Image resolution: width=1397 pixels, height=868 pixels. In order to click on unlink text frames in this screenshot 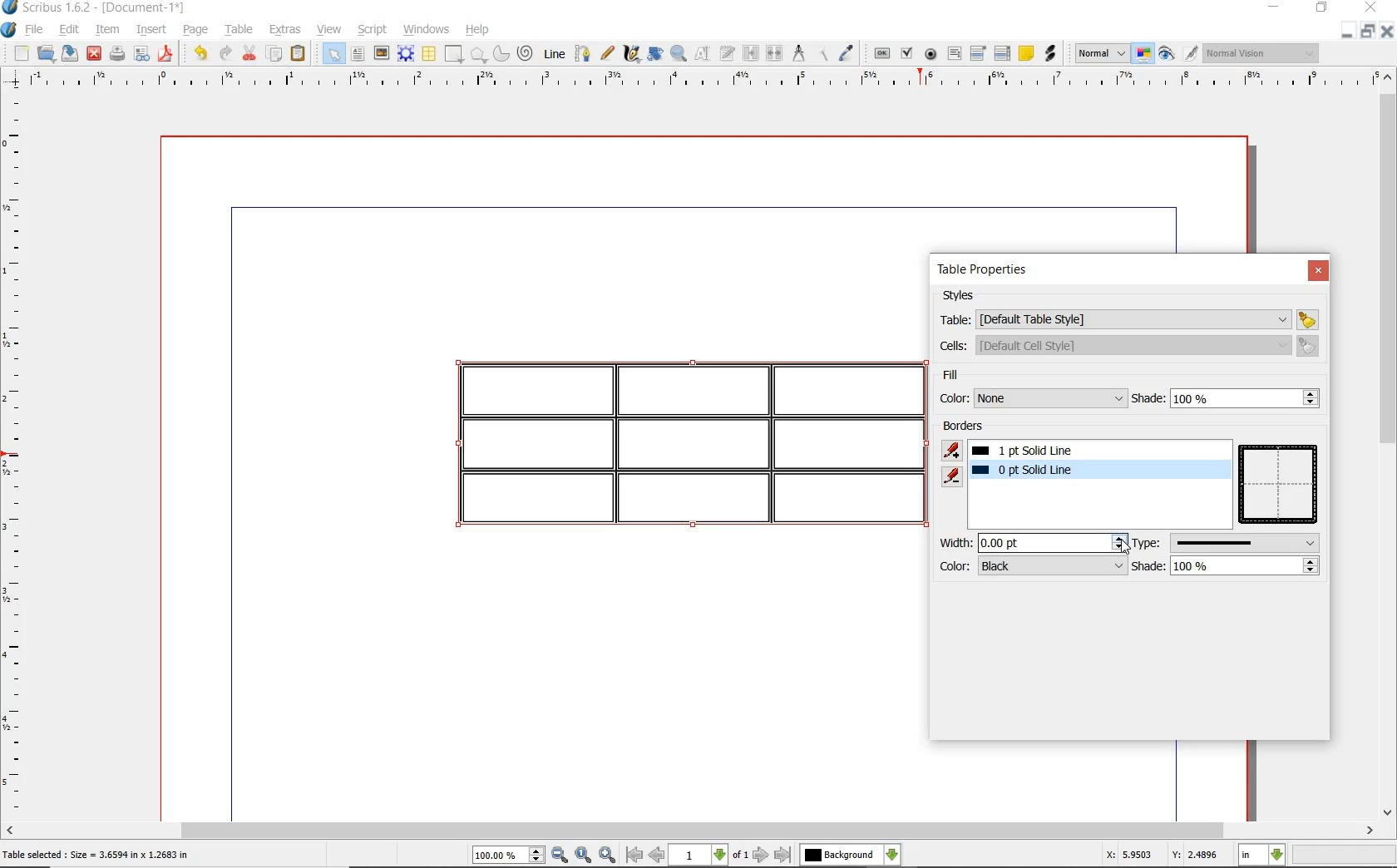, I will do `click(775, 53)`.